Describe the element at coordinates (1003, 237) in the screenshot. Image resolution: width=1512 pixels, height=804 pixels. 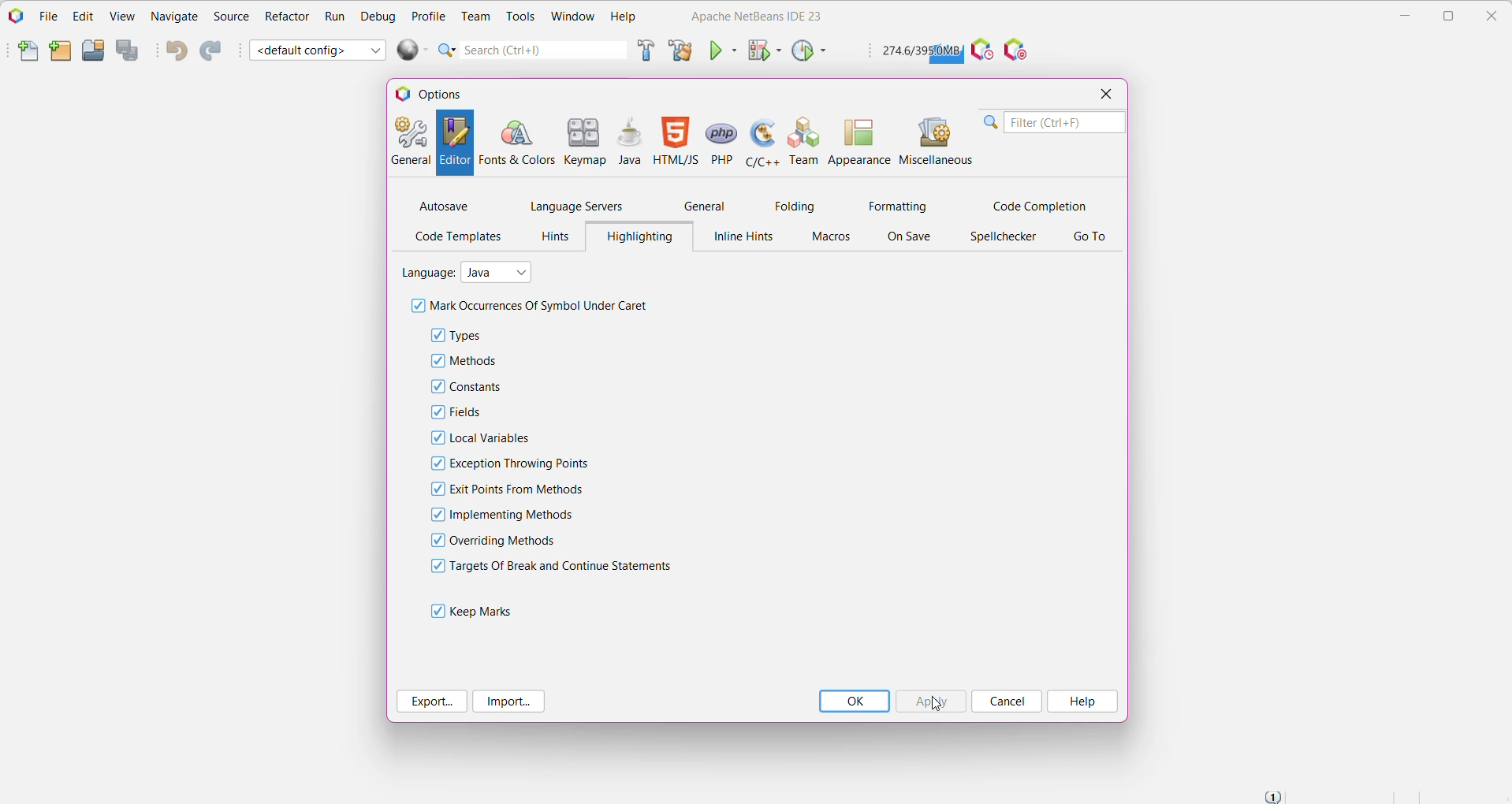
I see `Spellchecker` at that location.